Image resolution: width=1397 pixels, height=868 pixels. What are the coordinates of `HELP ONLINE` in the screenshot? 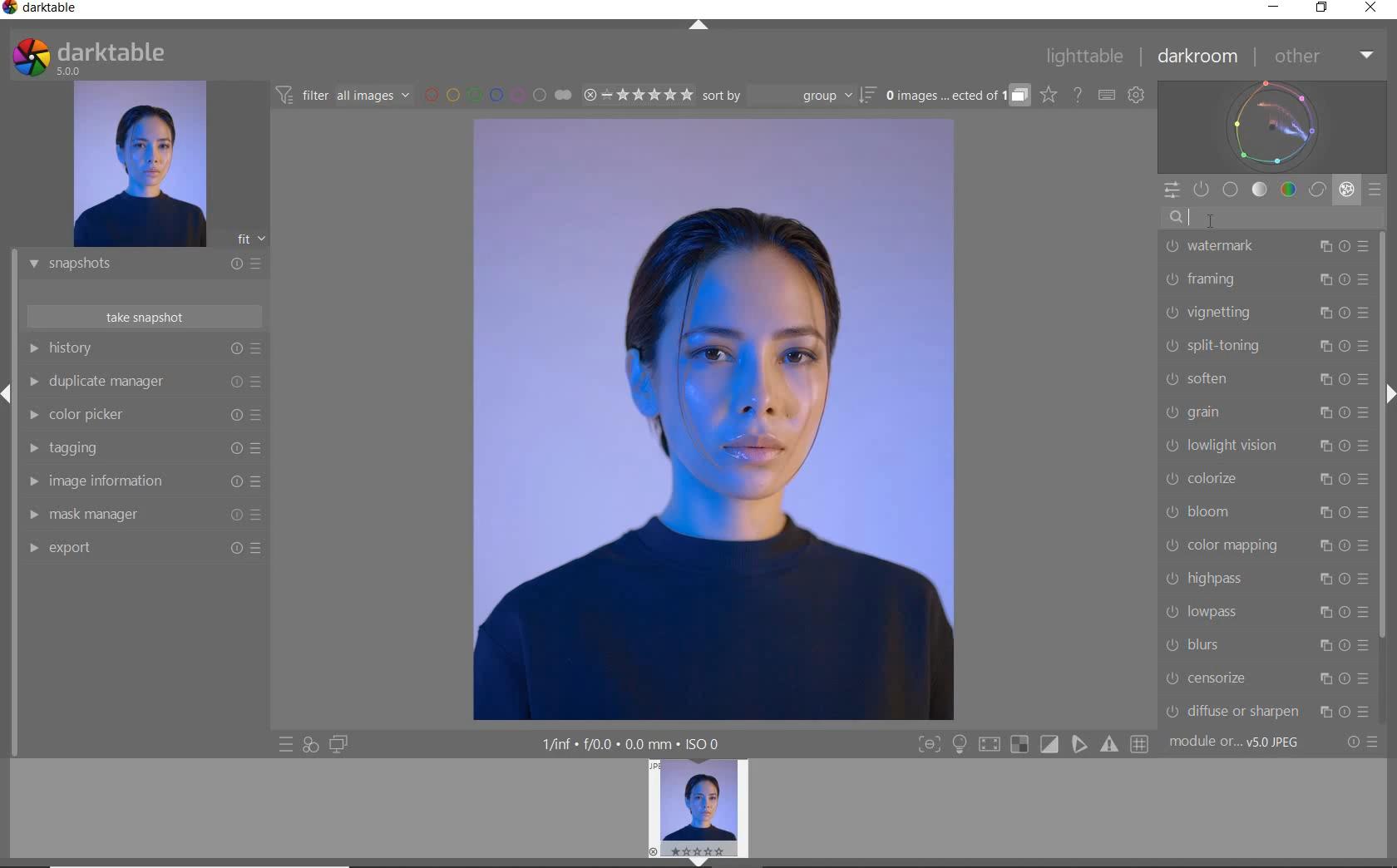 It's located at (1078, 94).